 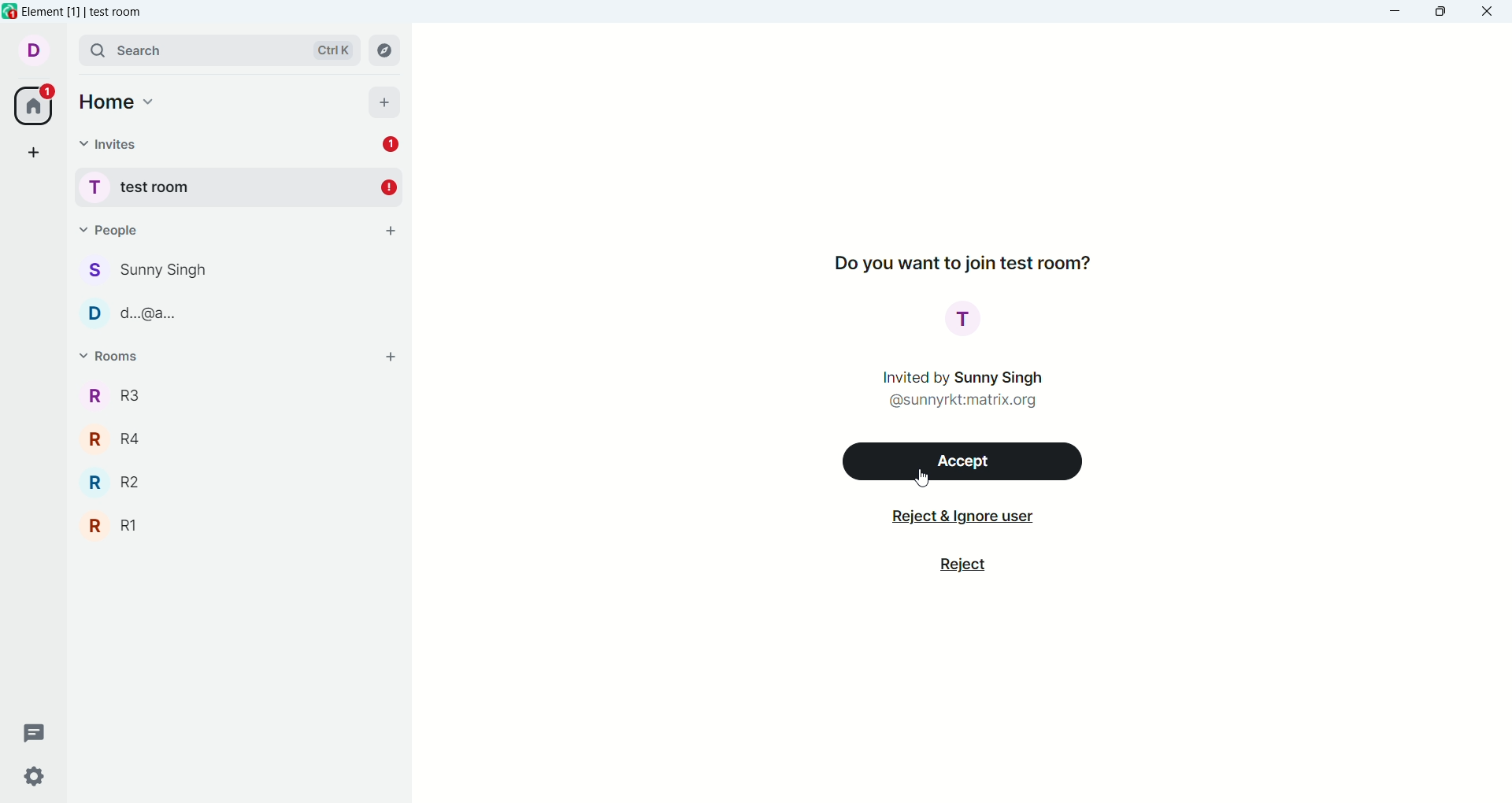 What do you see at coordinates (34, 50) in the screenshot?
I see `account` at bounding box center [34, 50].